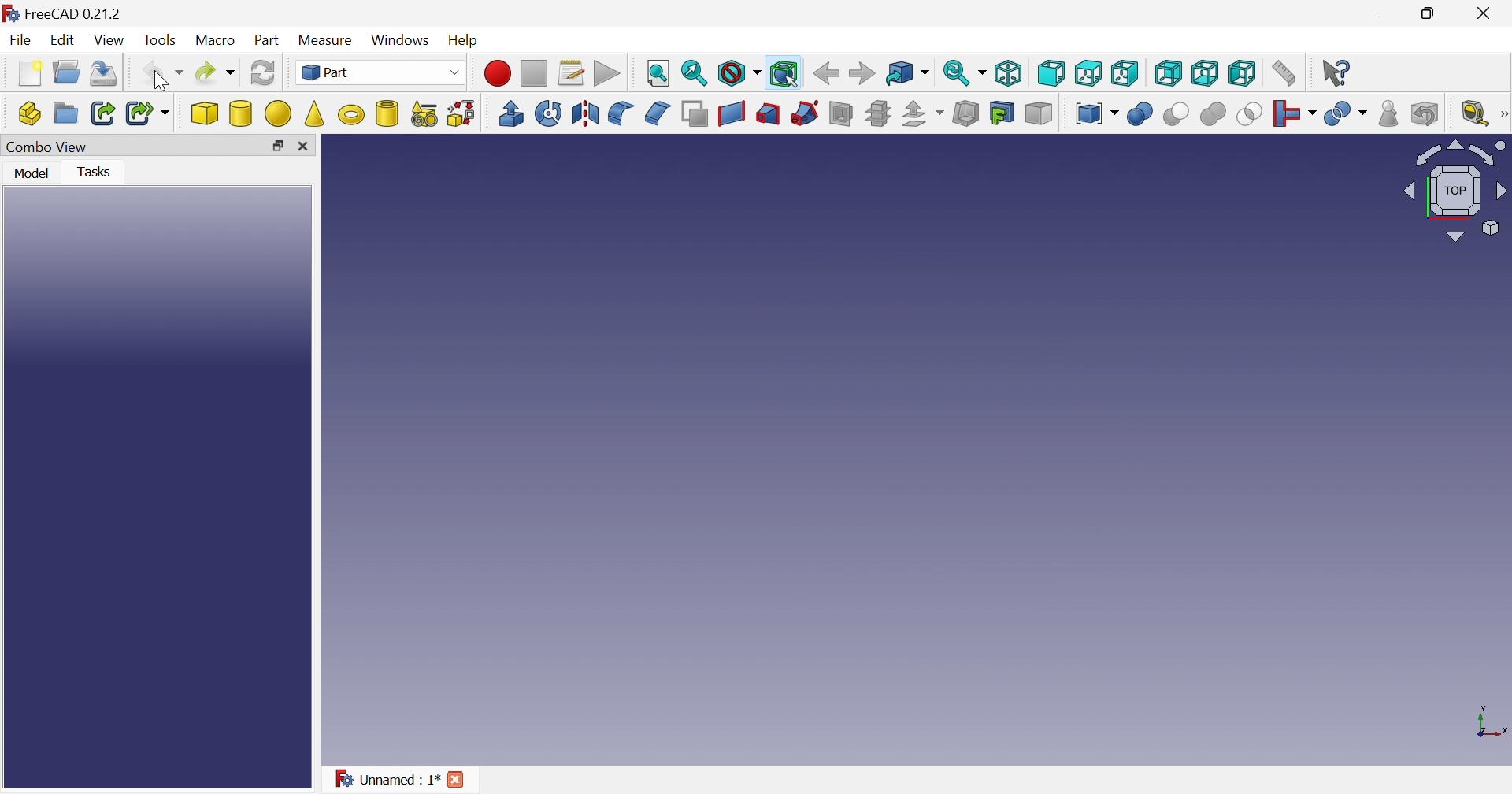 The width and height of the screenshot is (1512, 794). I want to click on Go to link object, so click(906, 73).